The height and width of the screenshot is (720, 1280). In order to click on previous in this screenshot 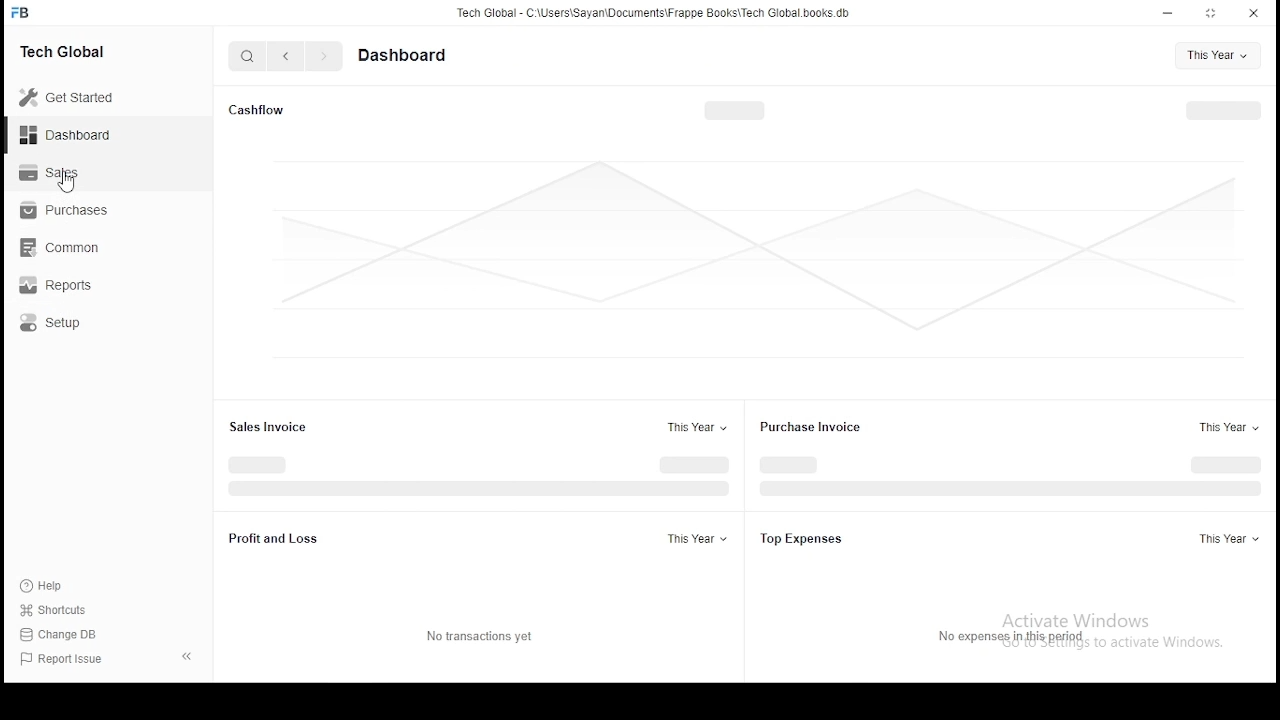, I will do `click(286, 56)`.